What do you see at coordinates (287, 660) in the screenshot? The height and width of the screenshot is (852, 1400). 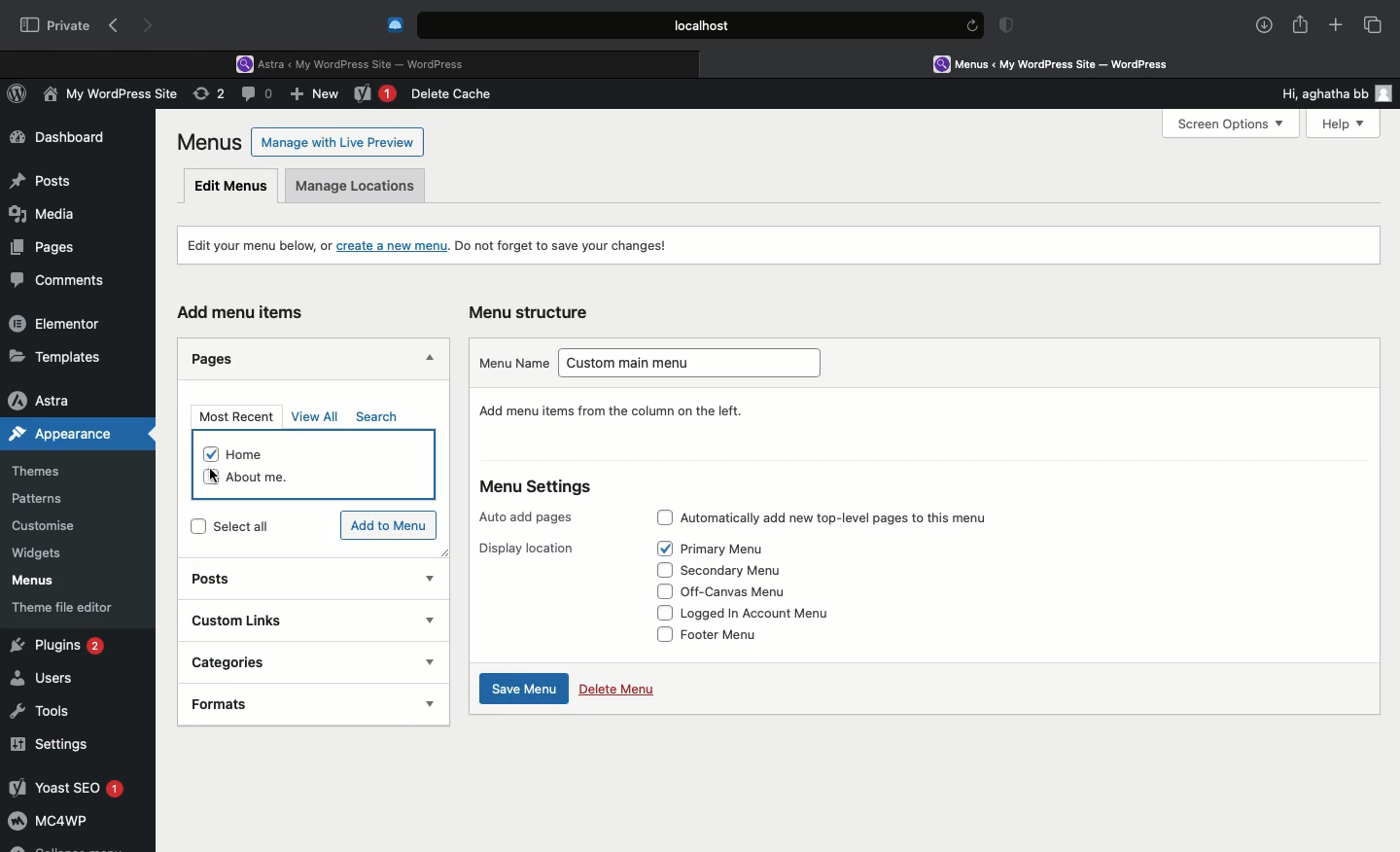 I see `Categories` at bounding box center [287, 660].